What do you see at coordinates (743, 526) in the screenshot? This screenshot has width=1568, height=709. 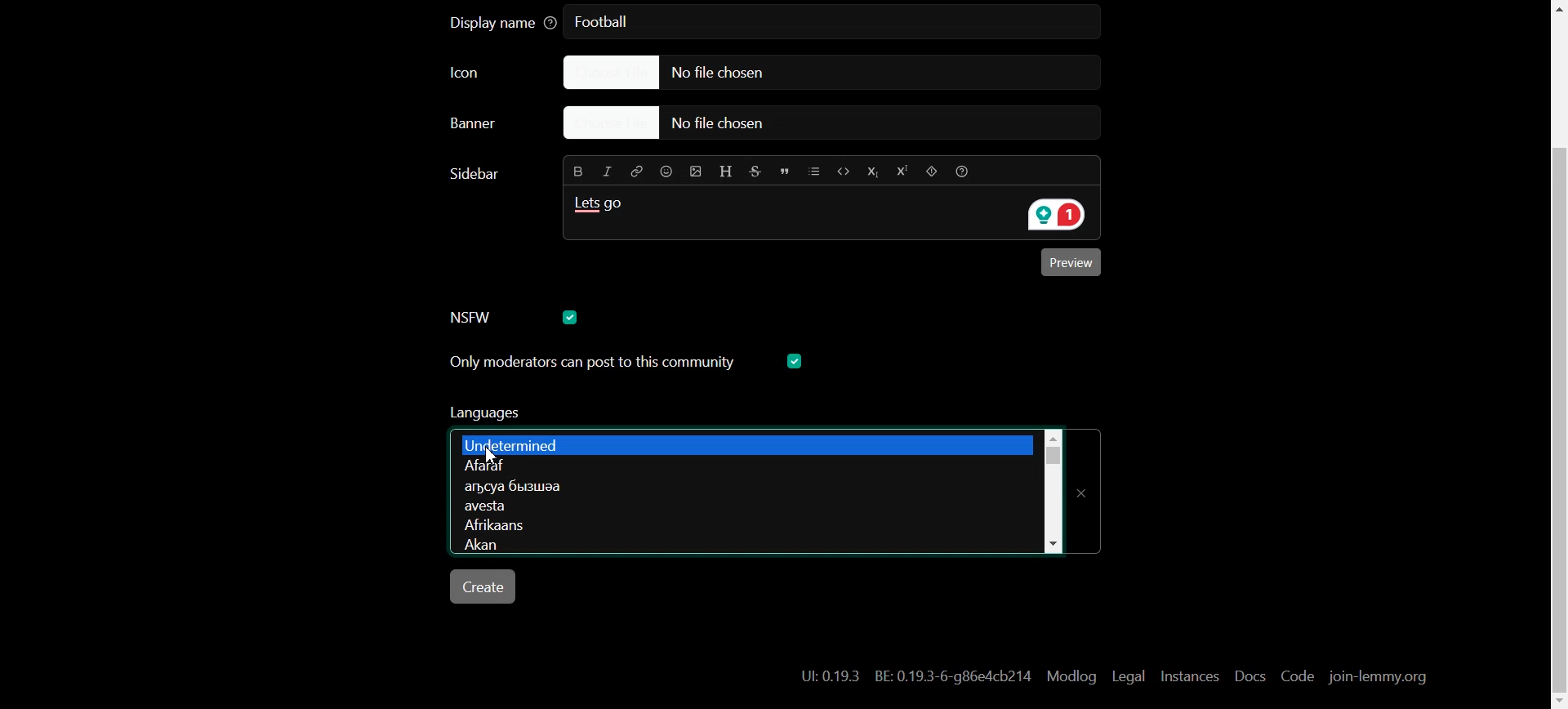 I see `Language` at bounding box center [743, 526].